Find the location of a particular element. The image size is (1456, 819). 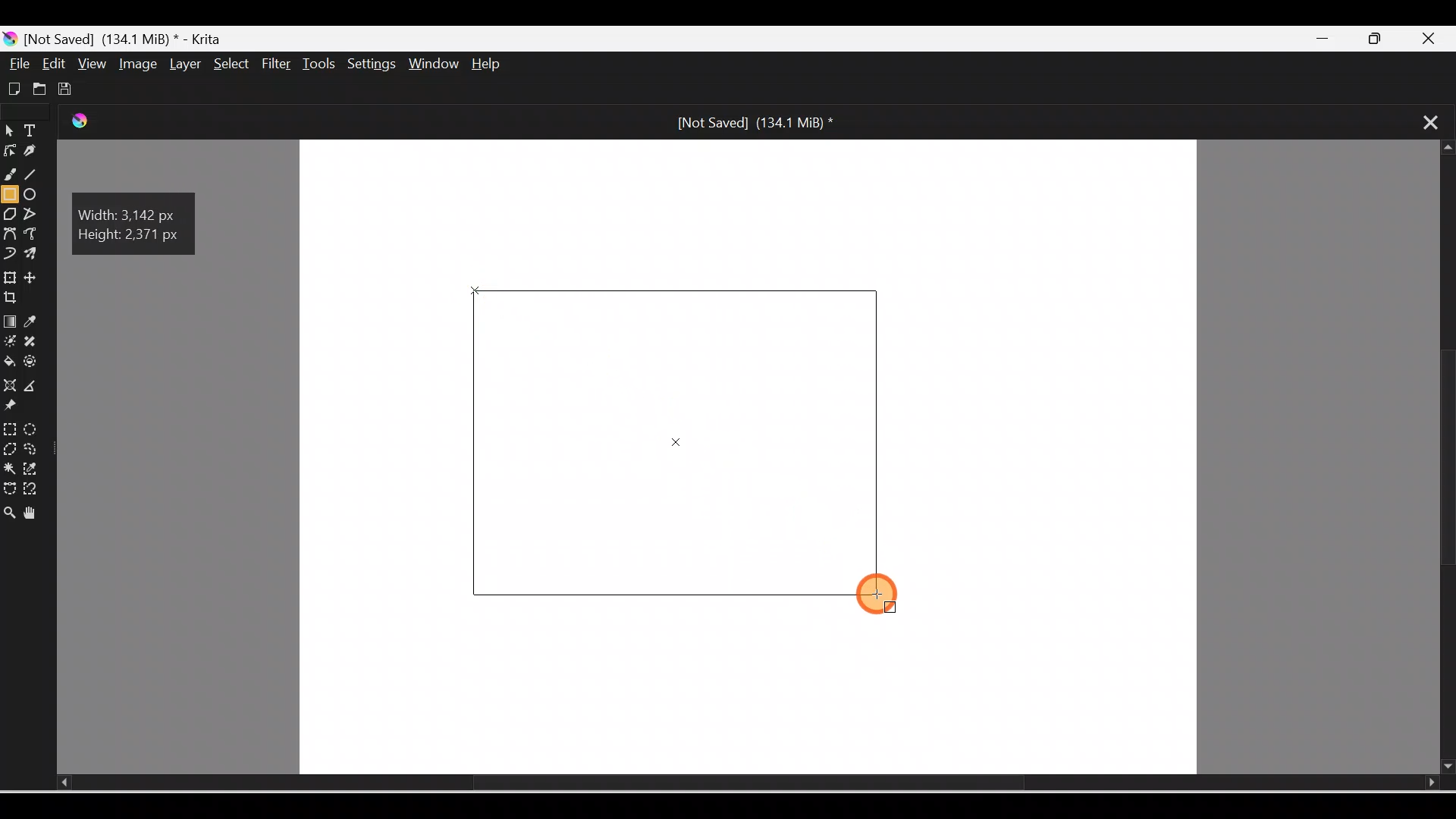

View is located at coordinates (89, 63).